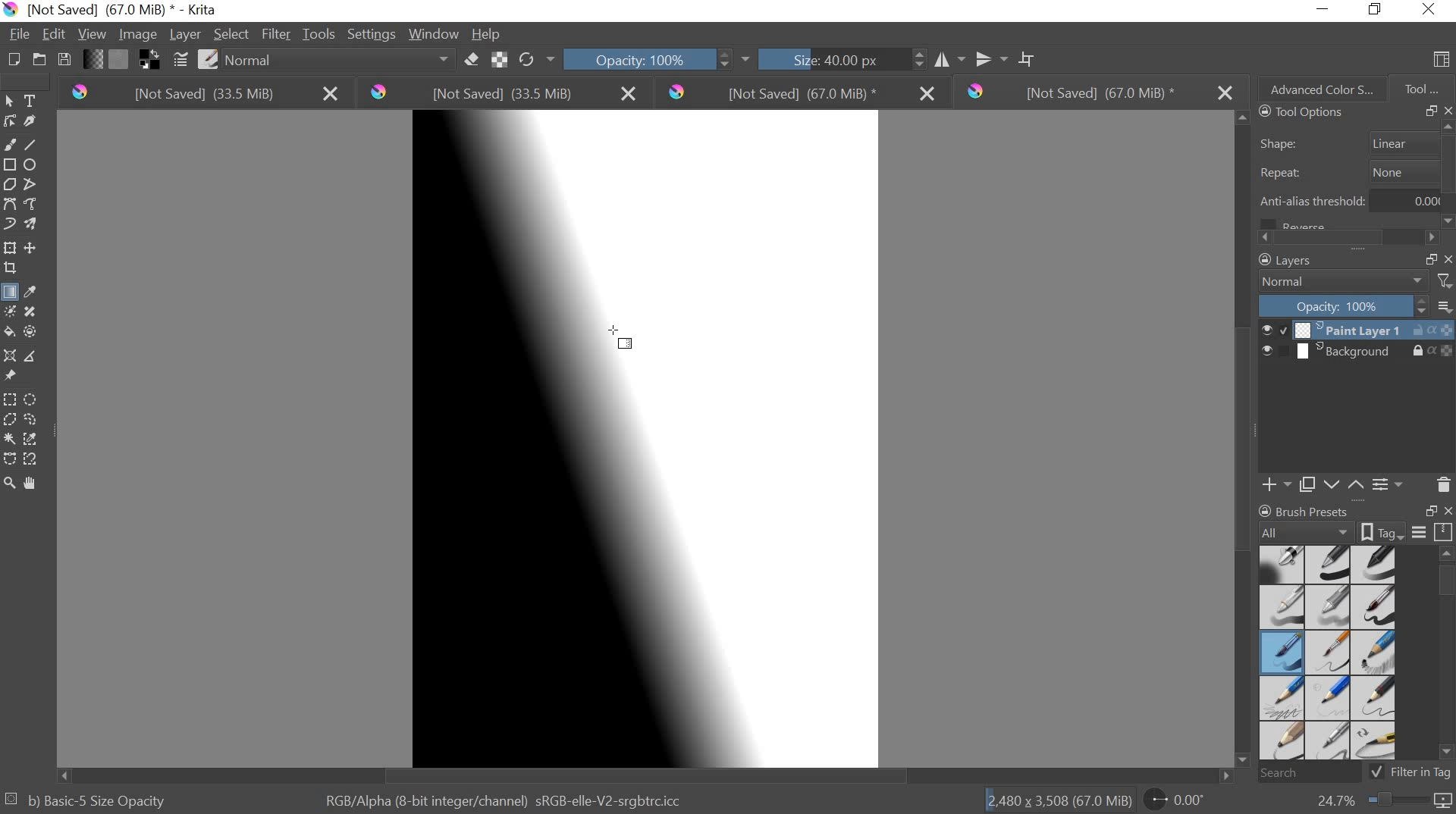 This screenshot has height=814, width=1456. Describe the element at coordinates (35, 205) in the screenshot. I see `freehand path tool` at that location.